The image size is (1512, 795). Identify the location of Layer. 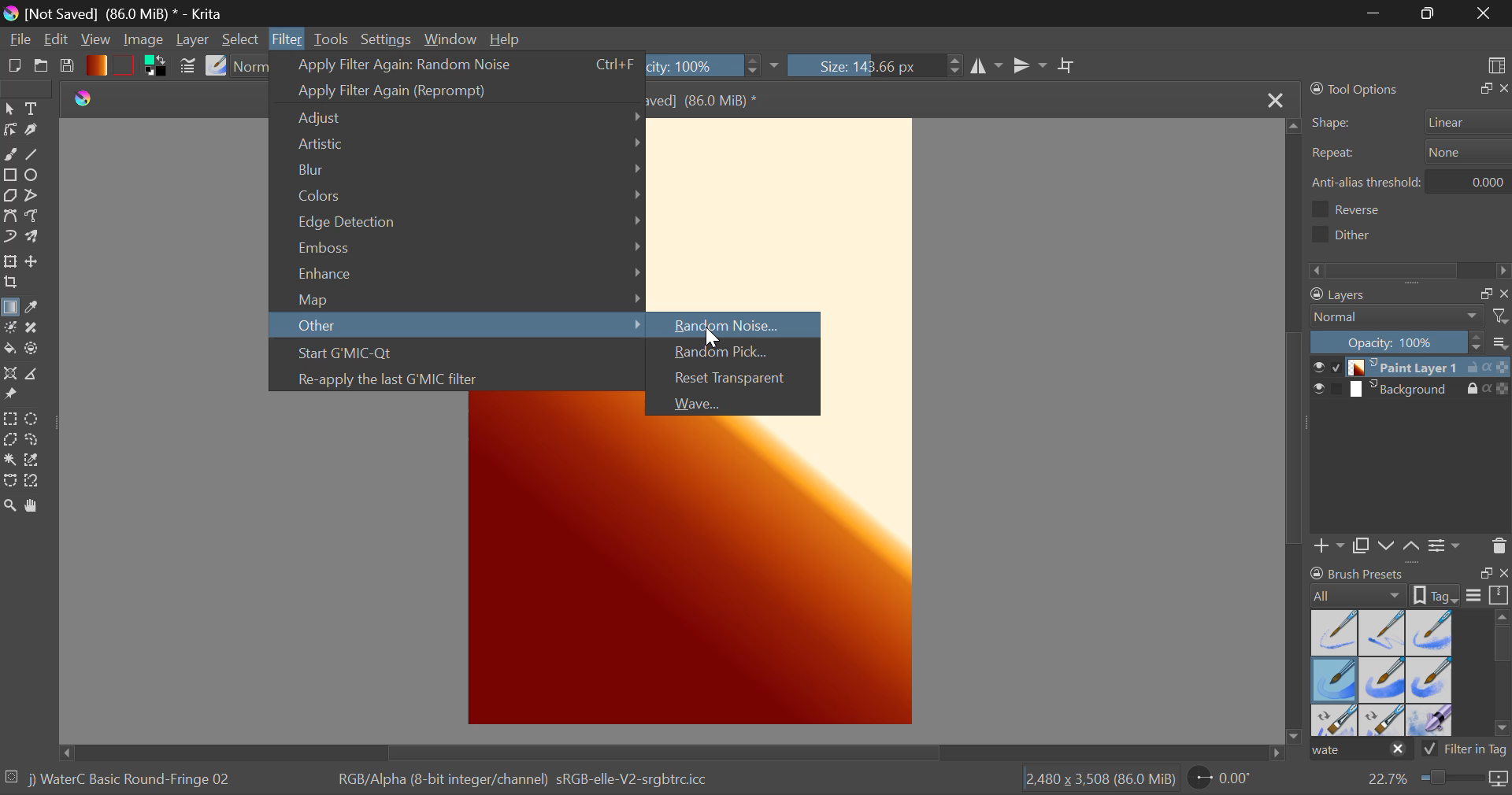
(195, 39).